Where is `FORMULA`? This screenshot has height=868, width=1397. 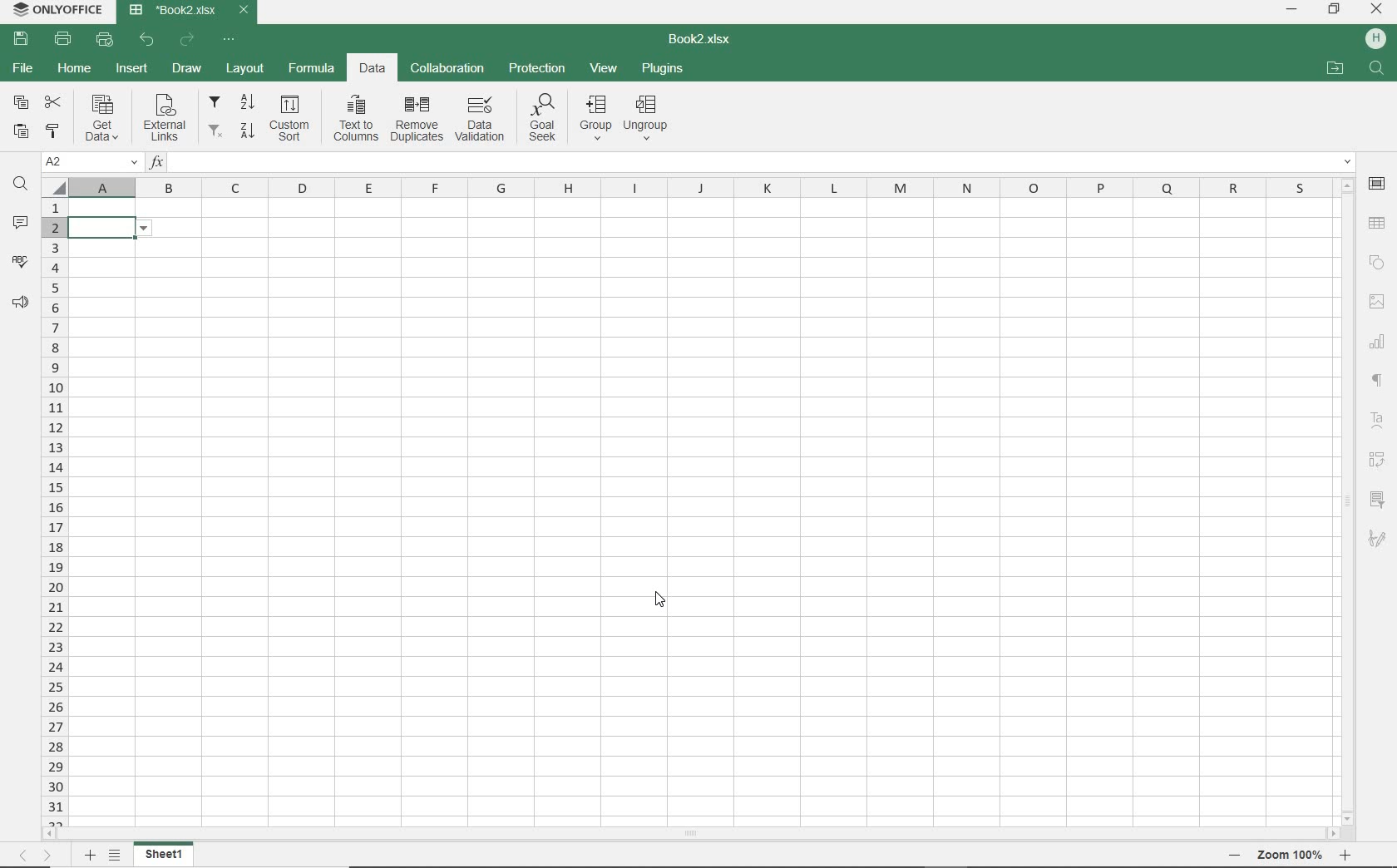 FORMULA is located at coordinates (314, 70).